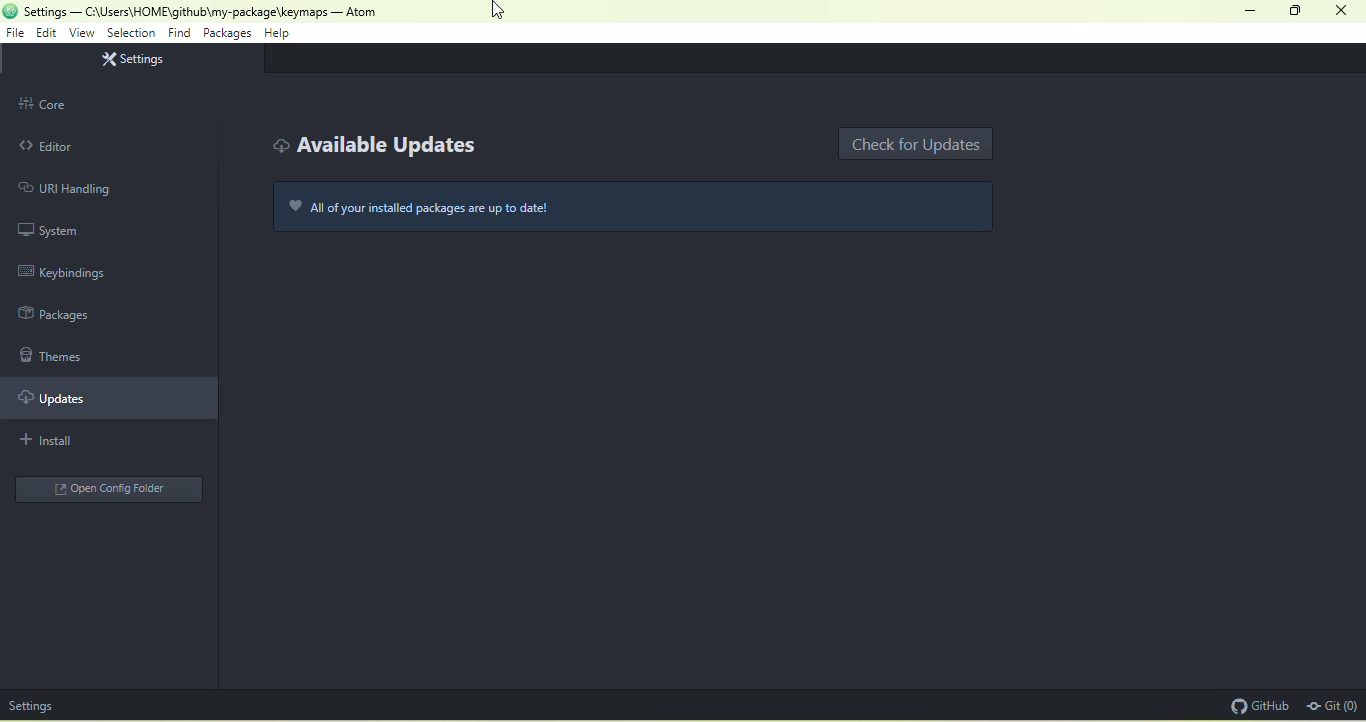 The width and height of the screenshot is (1366, 722). What do you see at coordinates (501, 11) in the screenshot?
I see `cursor` at bounding box center [501, 11].